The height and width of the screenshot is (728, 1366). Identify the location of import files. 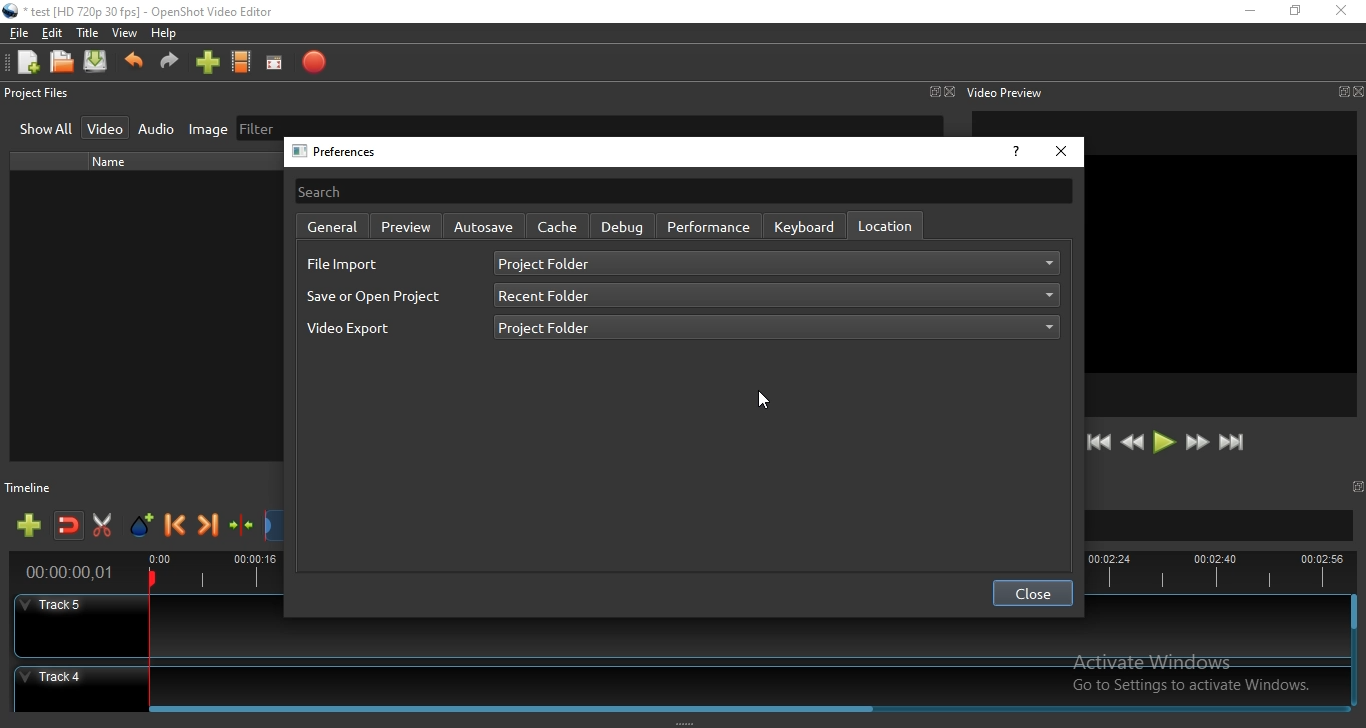
(206, 65).